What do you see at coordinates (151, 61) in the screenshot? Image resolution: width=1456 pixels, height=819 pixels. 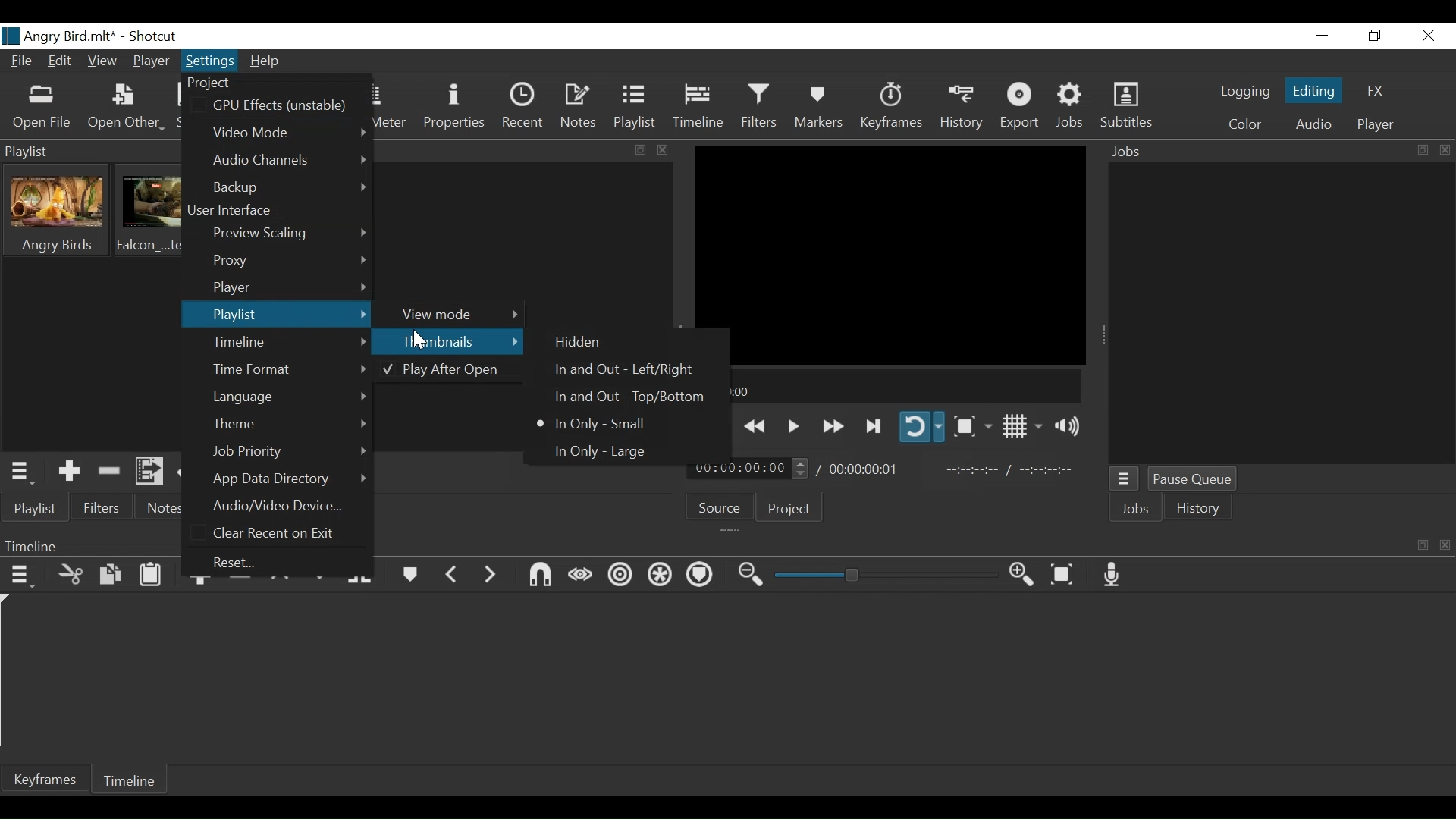 I see `Player` at bounding box center [151, 61].